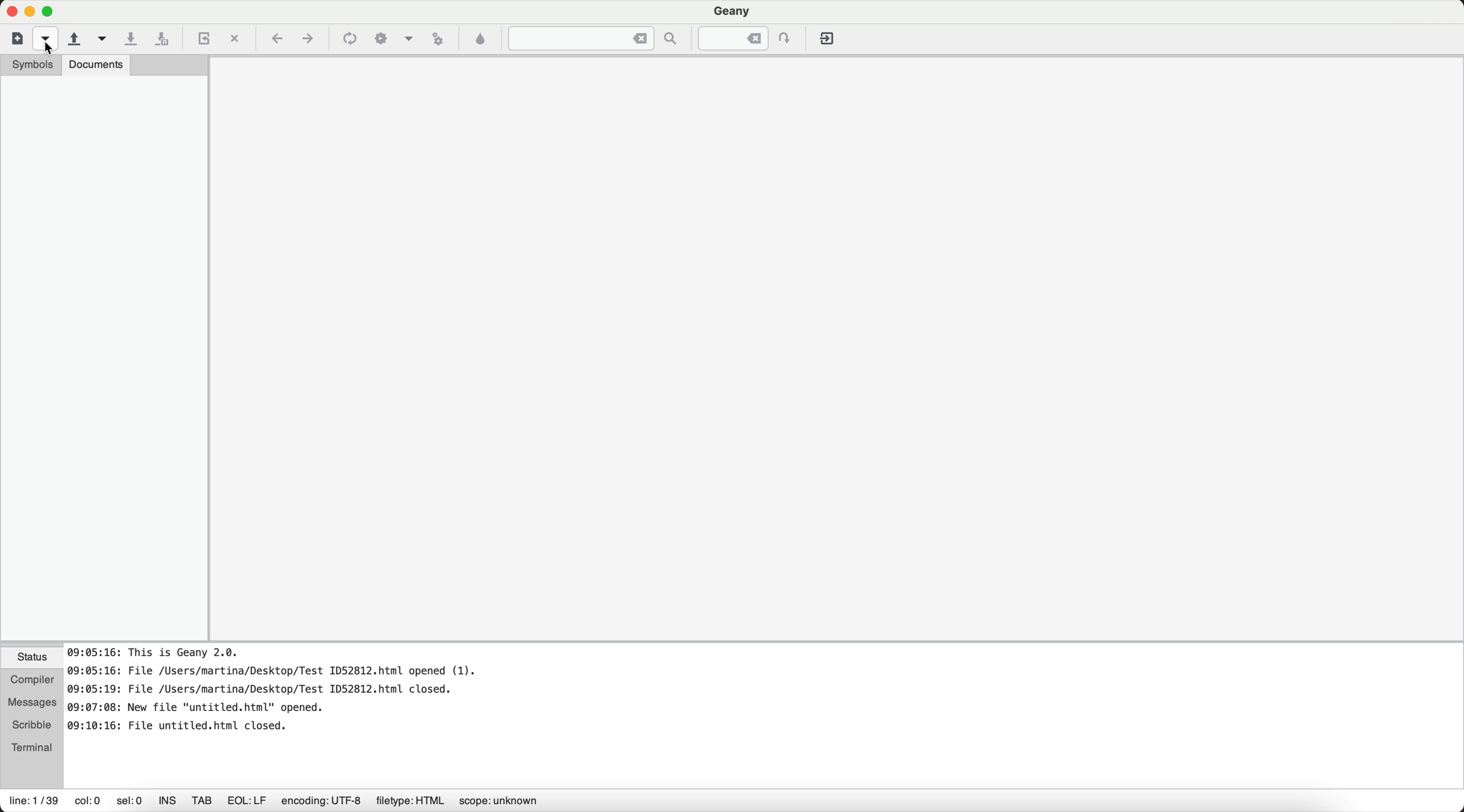 The height and width of the screenshot is (812, 1464). Describe the element at coordinates (827, 38) in the screenshot. I see `quit Geany` at that location.